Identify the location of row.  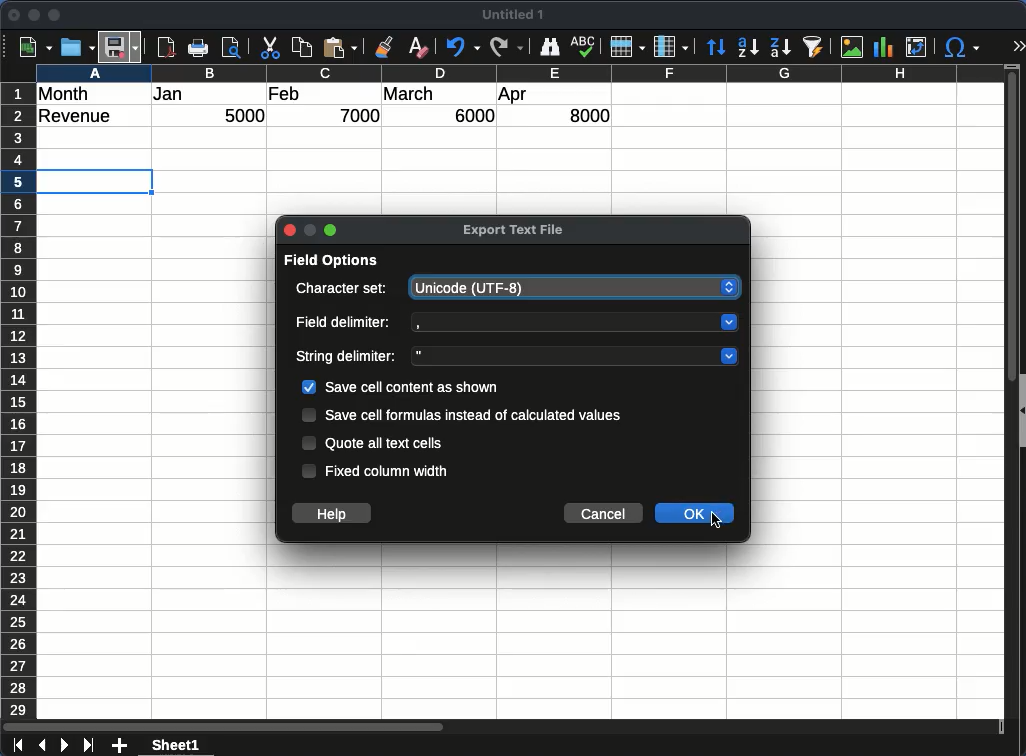
(627, 47).